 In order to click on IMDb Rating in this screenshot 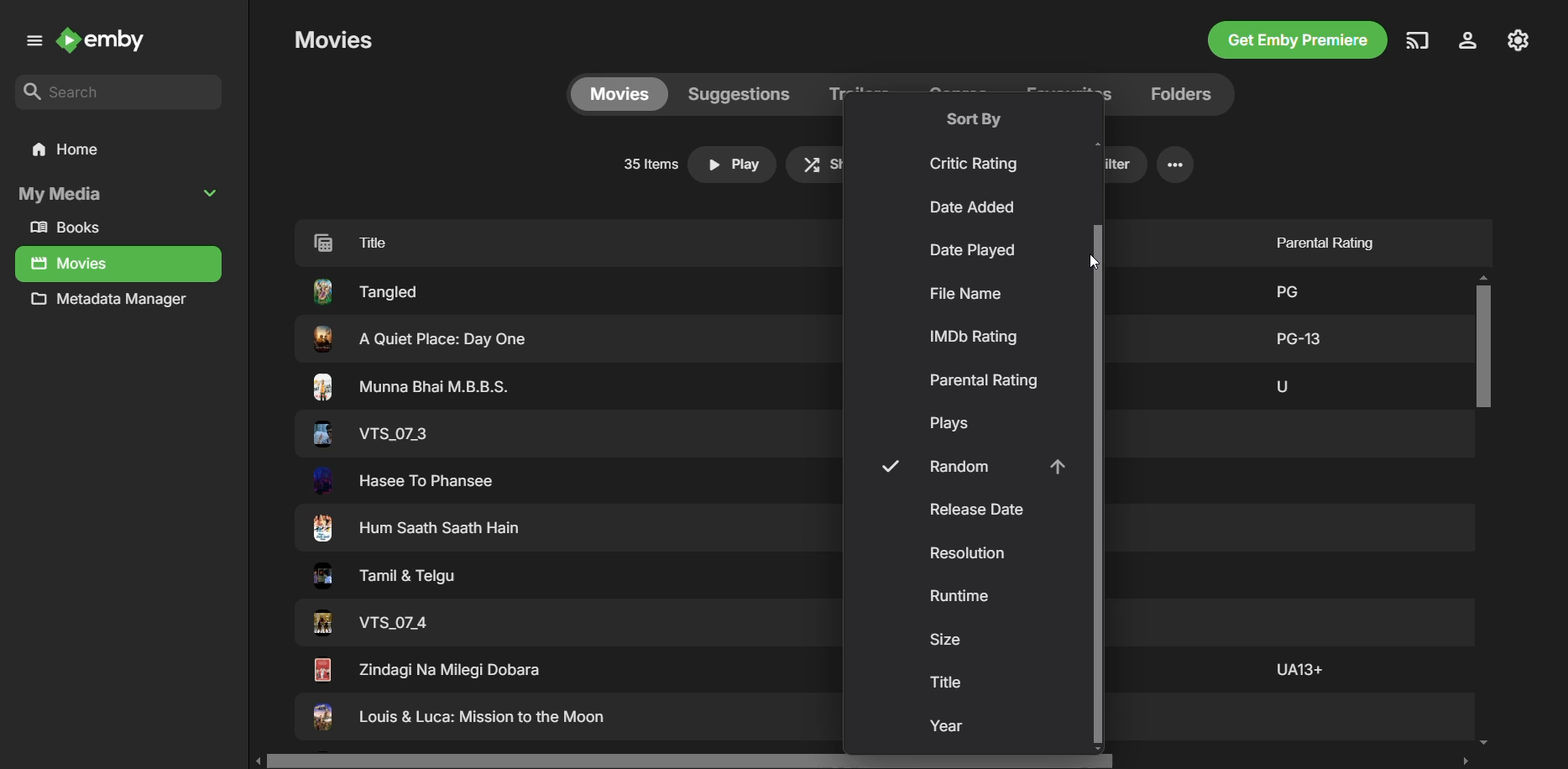, I will do `click(976, 337)`.